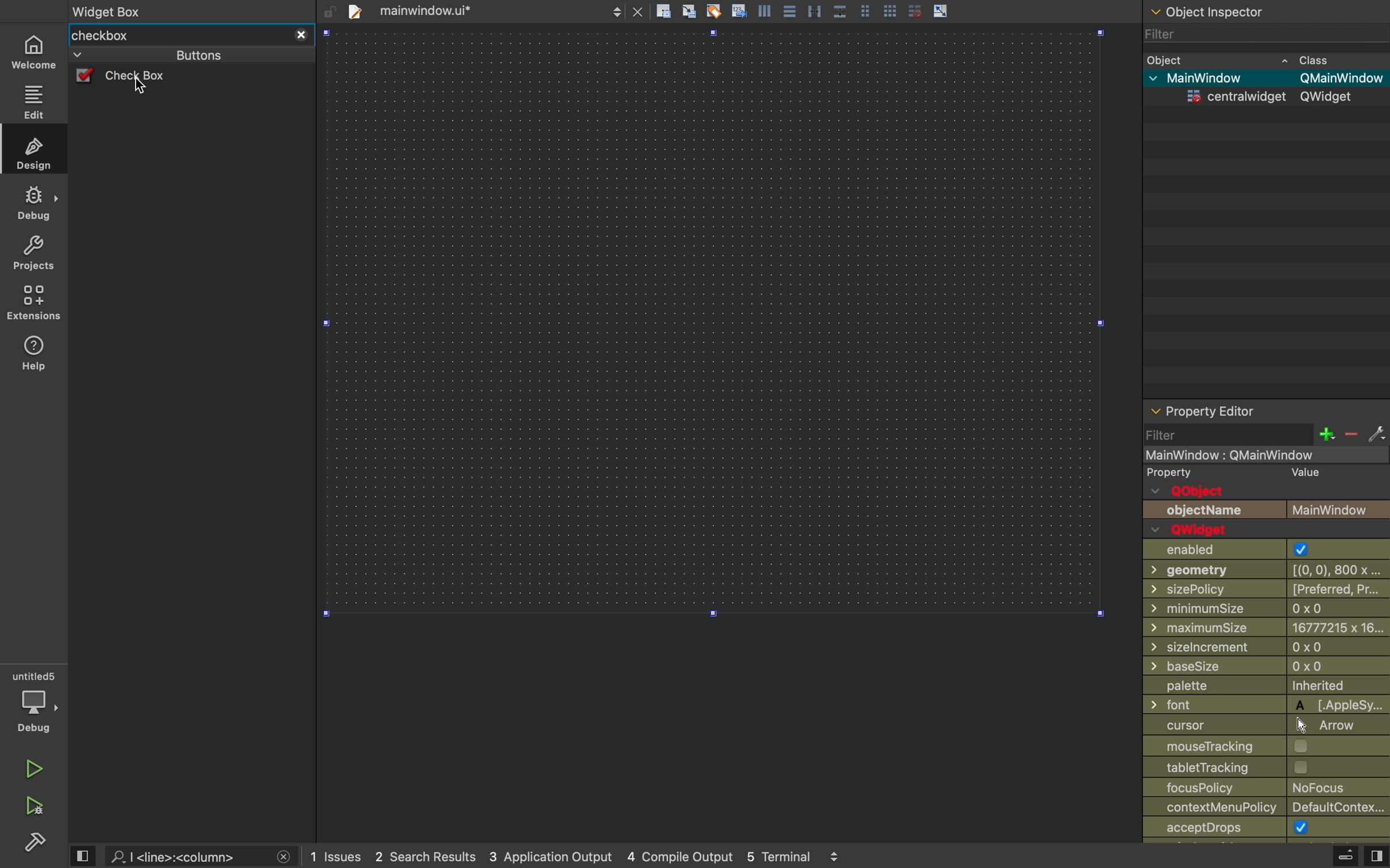 This screenshot has width=1390, height=868. What do you see at coordinates (142, 77) in the screenshot?
I see `check box` at bounding box center [142, 77].